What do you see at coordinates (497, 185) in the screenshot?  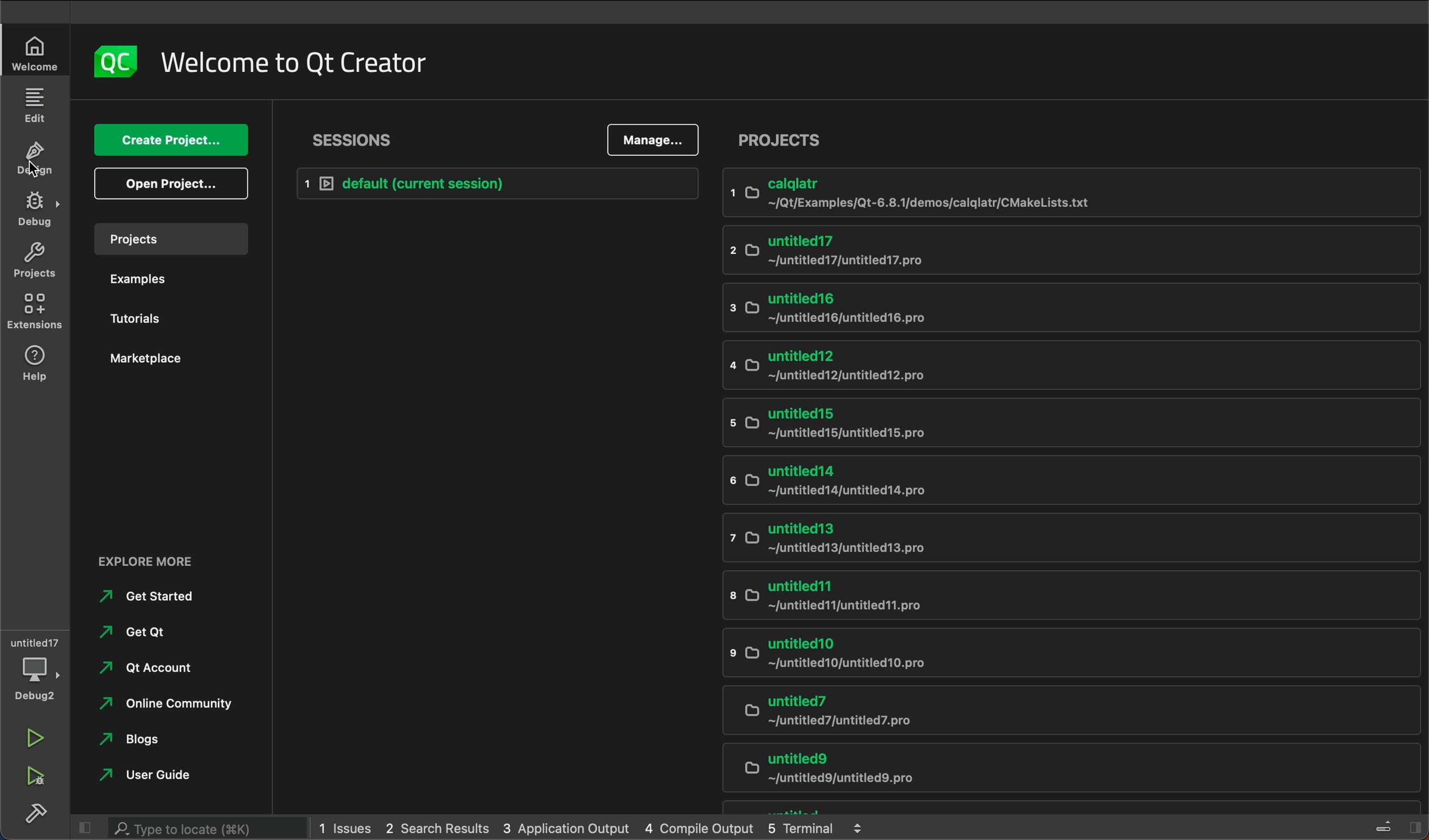 I see `current session` at bounding box center [497, 185].